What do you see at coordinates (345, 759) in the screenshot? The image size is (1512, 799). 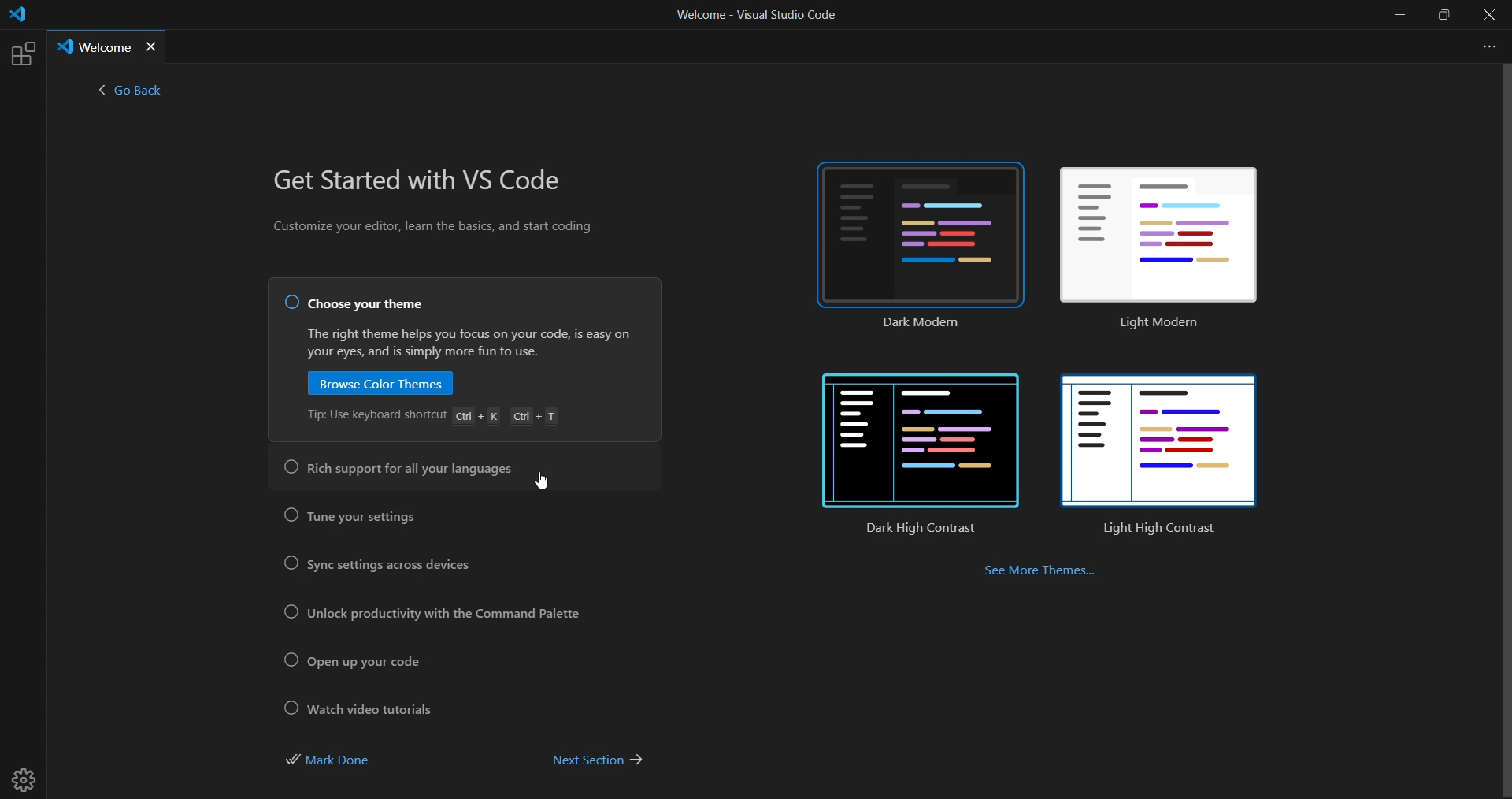 I see `mark done` at bounding box center [345, 759].